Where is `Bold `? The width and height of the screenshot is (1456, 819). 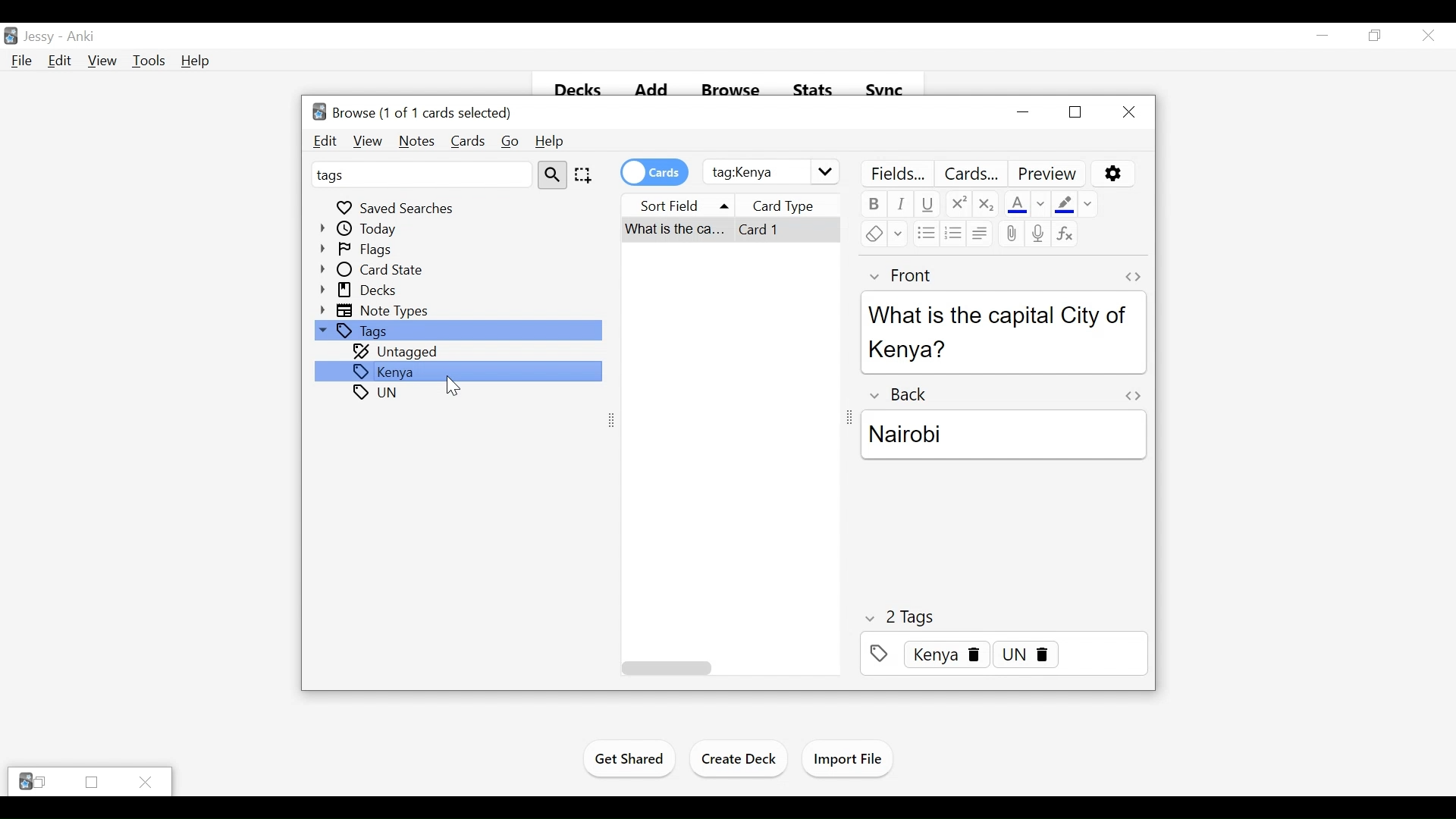
Bold  is located at coordinates (873, 205).